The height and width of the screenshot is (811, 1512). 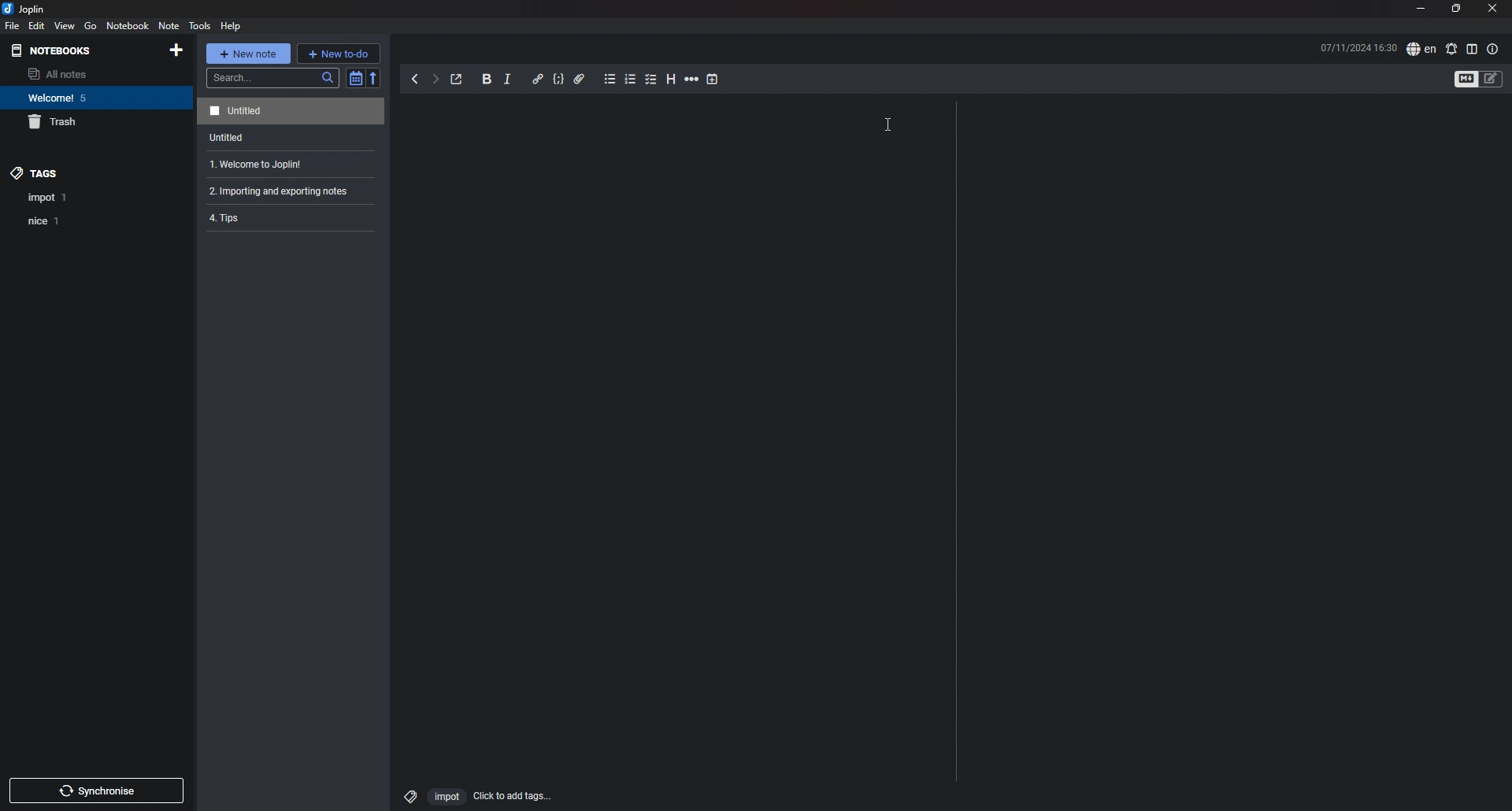 What do you see at coordinates (691, 80) in the screenshot?
I see `horizontal rule` at bounding box center [691, 80].